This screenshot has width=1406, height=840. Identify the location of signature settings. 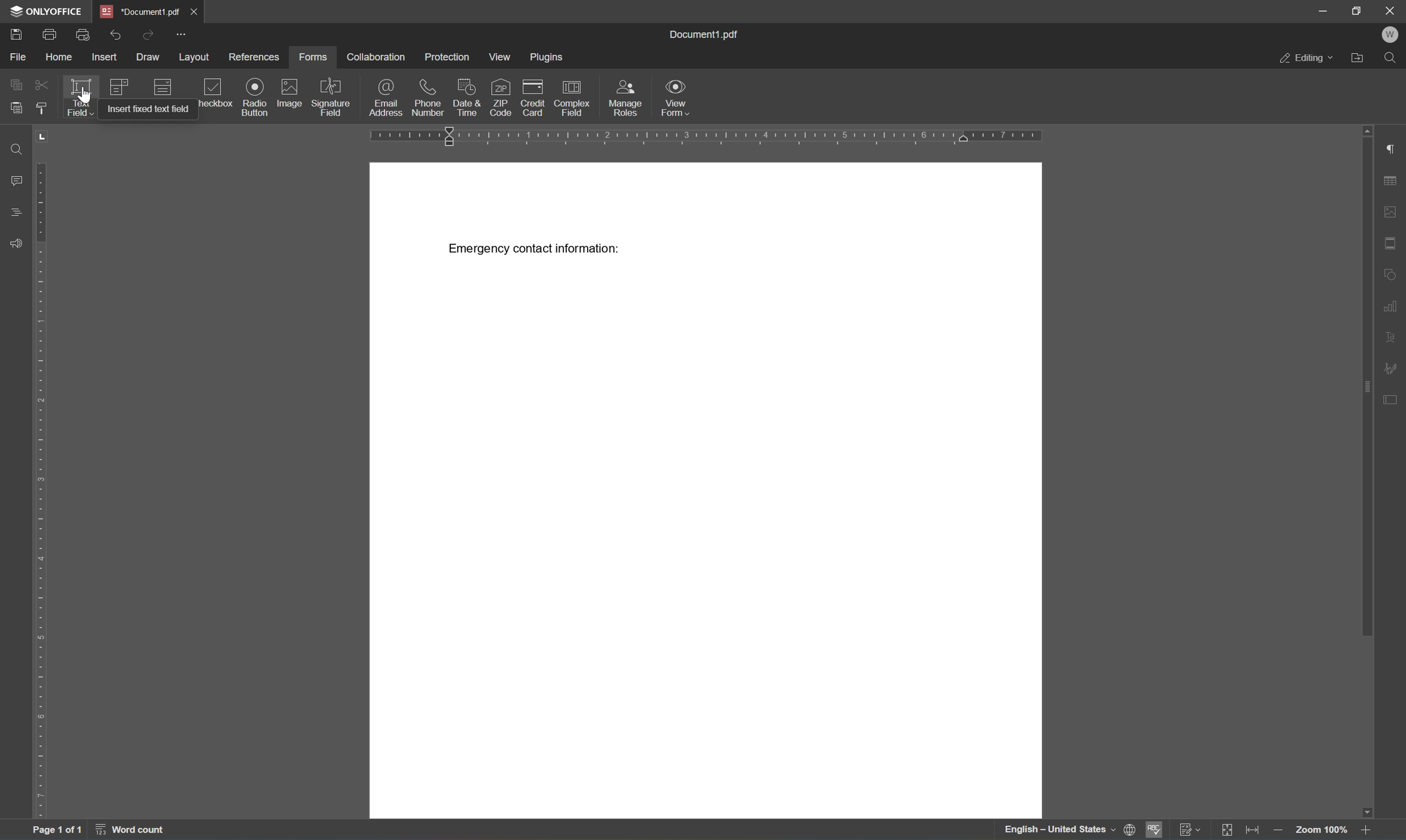
(1395, 366).